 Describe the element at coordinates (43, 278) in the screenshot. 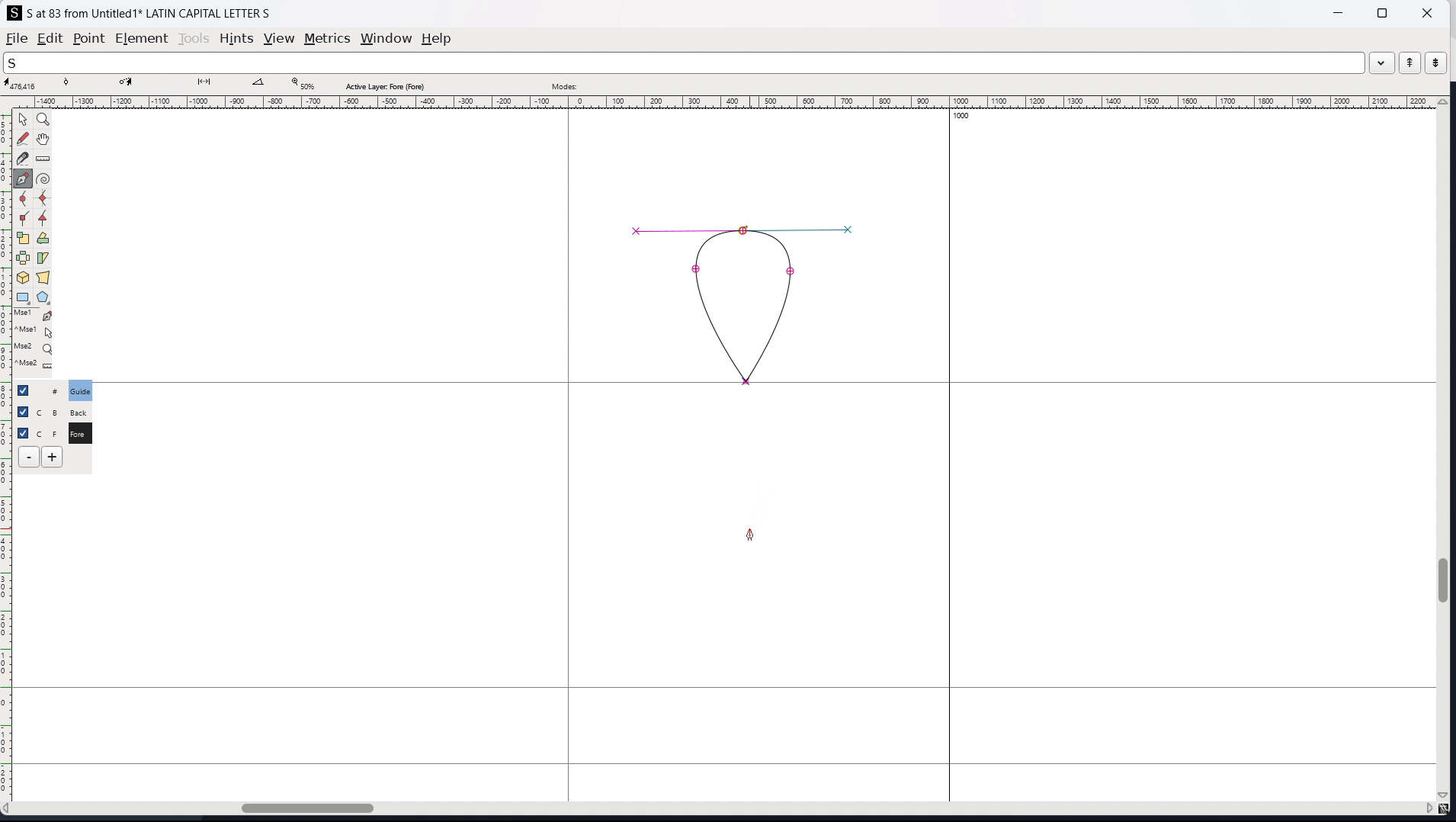

I see `perspective transformation` at that location.